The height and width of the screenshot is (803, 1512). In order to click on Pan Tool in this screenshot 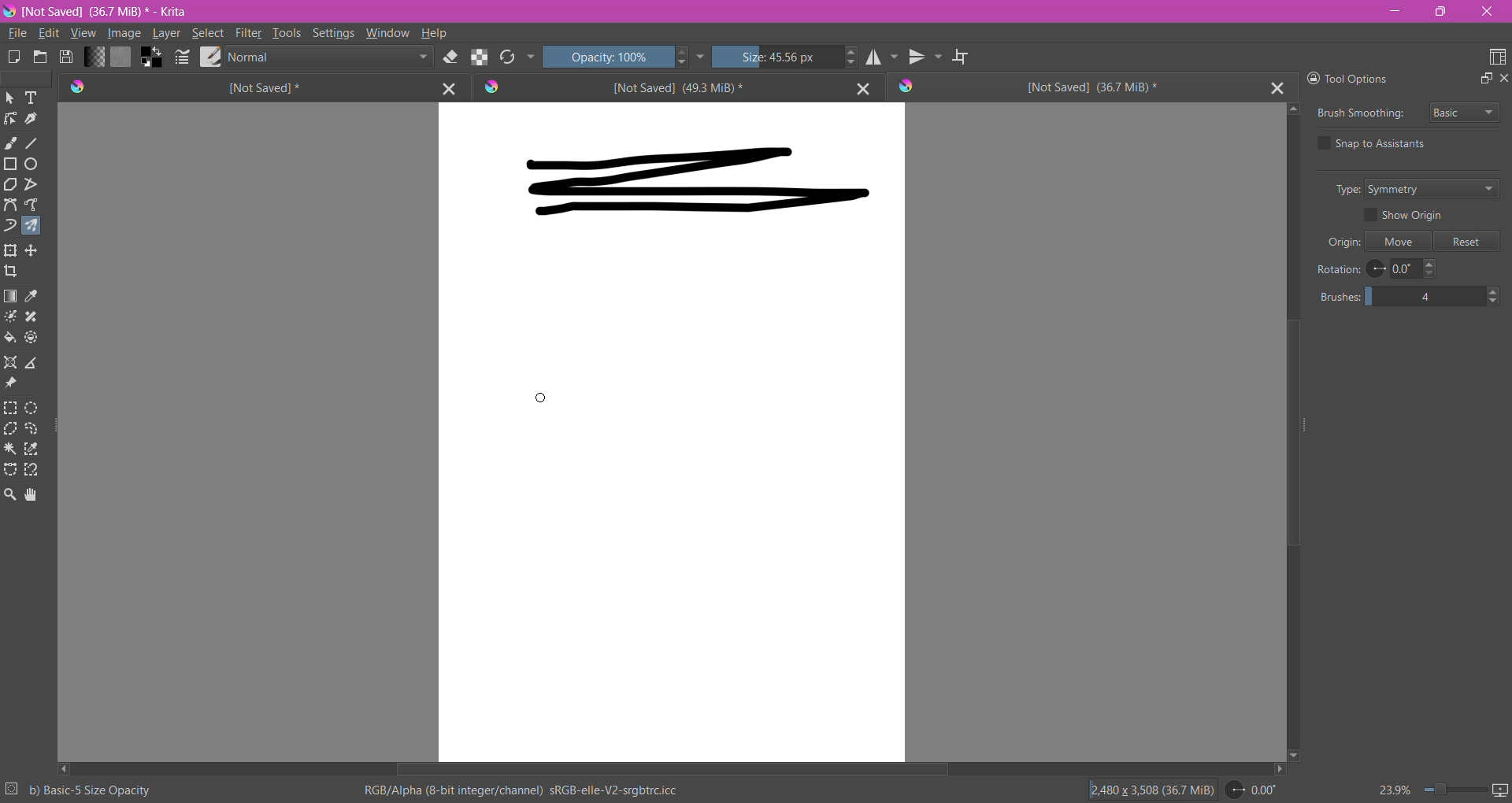, I will do `click(31, 495)`.